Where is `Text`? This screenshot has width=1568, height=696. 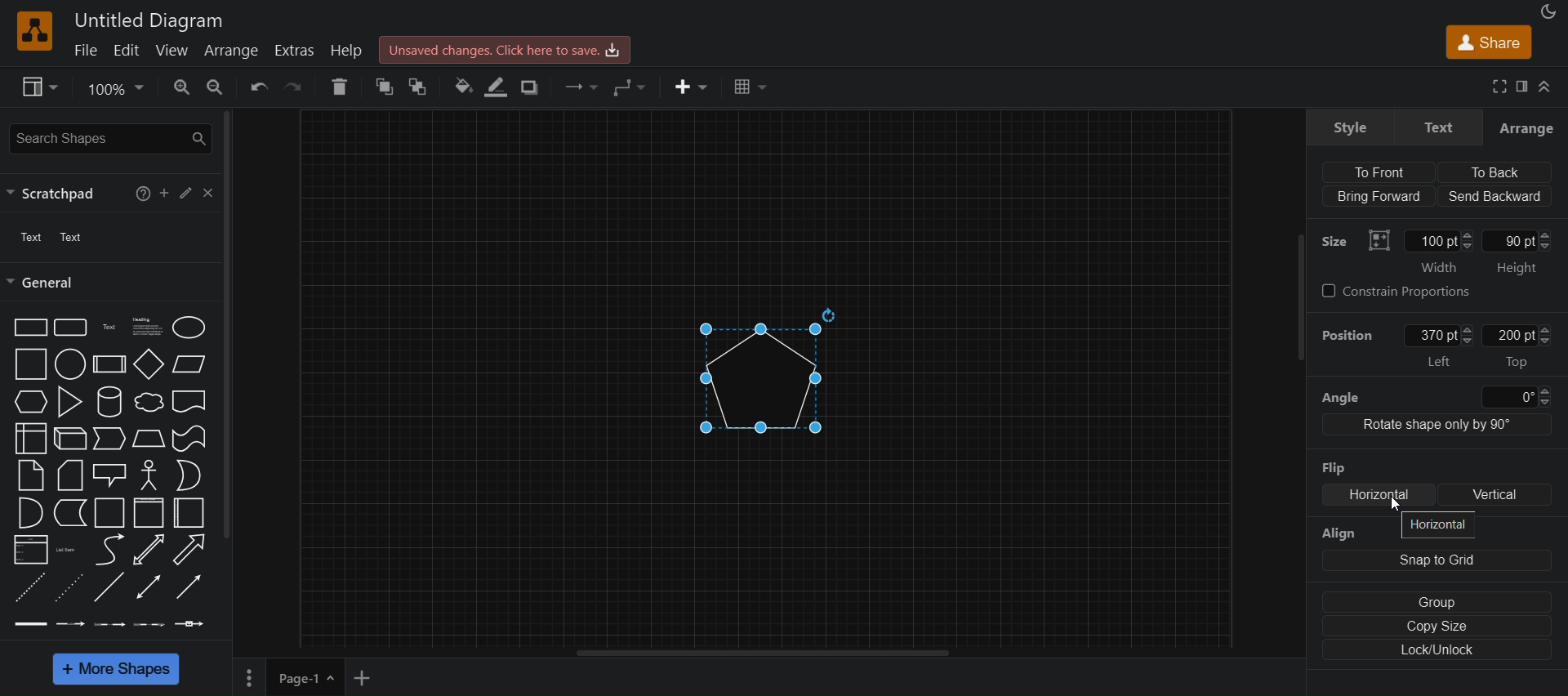 Text is located at coordinates (1439, 127).